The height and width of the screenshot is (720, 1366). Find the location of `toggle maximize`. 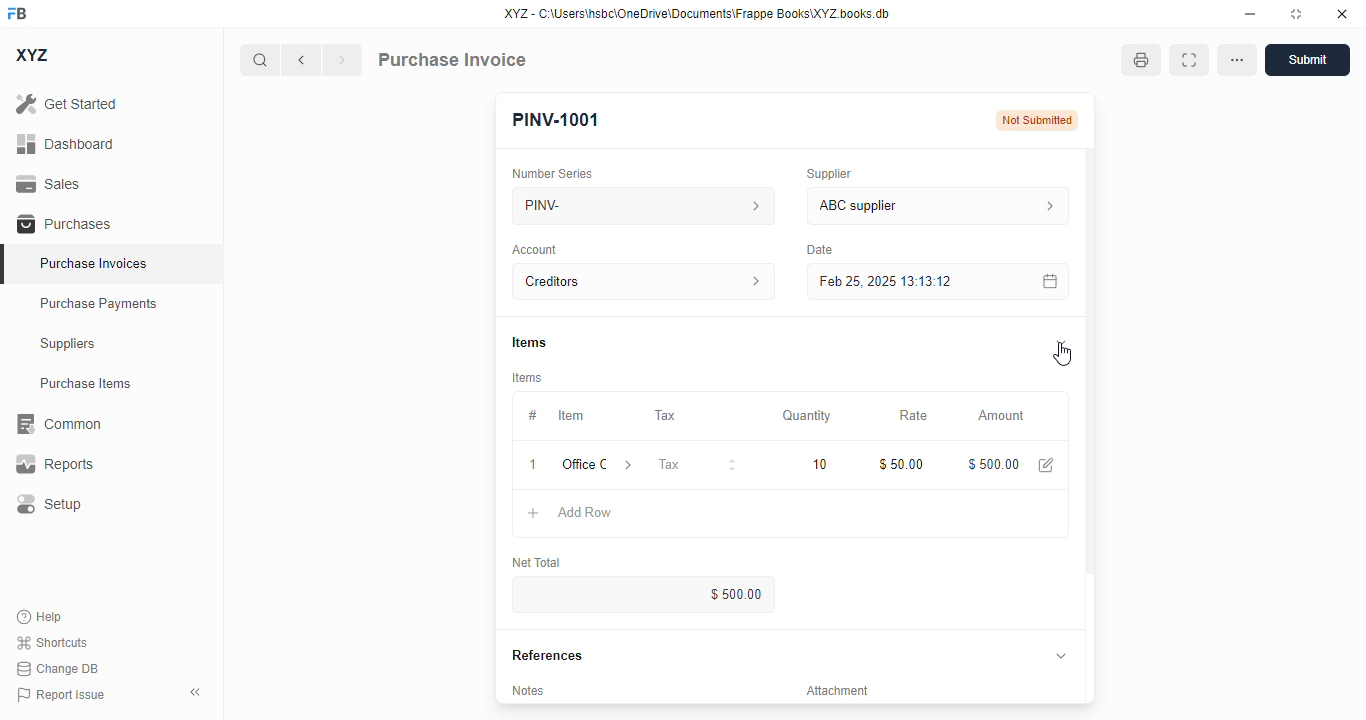

toggle maximize is located at coordinates (1295, 13).